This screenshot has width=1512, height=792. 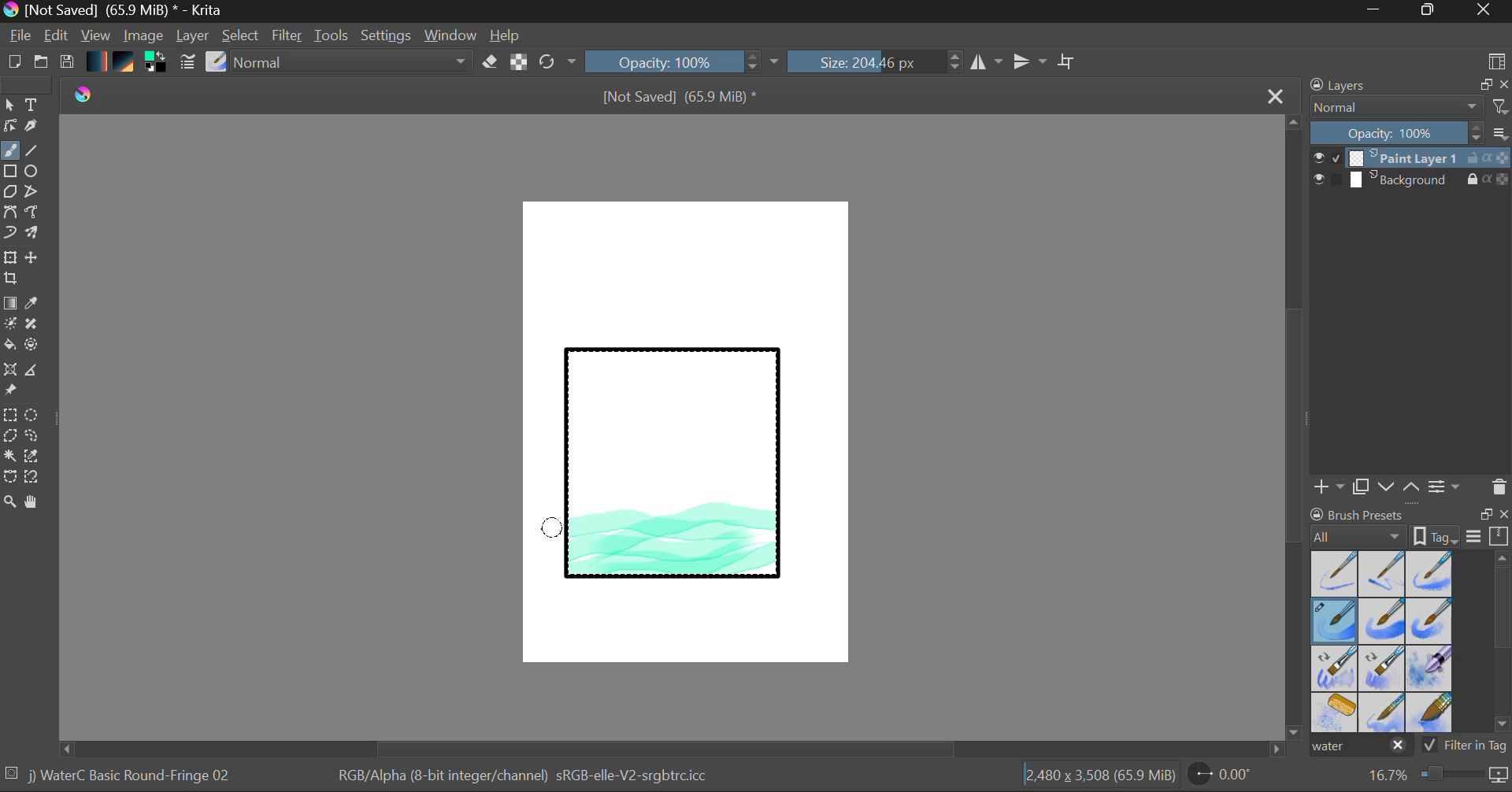 I want to click on Zoom, so click(x=10, y=503).